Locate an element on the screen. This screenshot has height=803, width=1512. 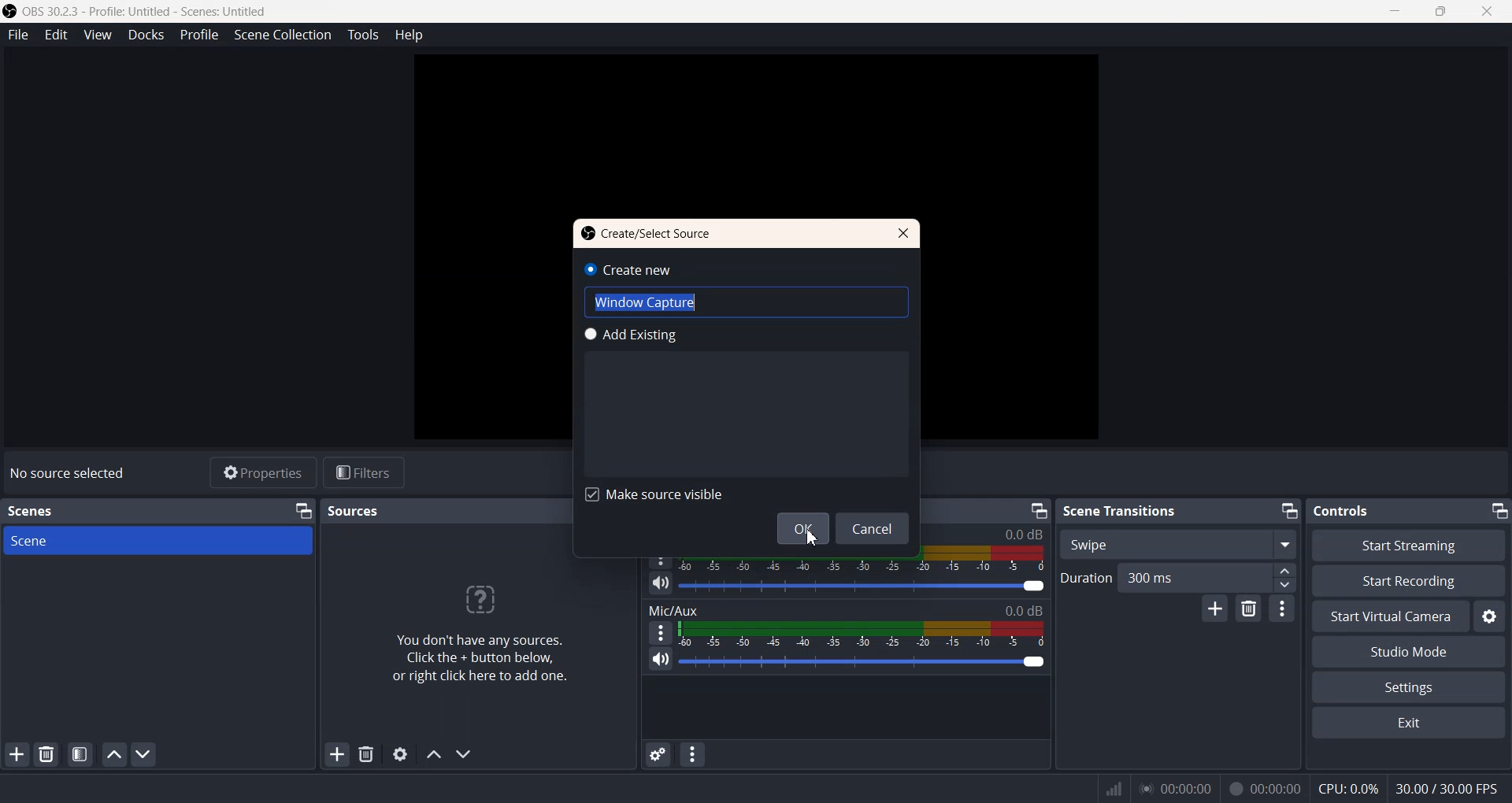
Tools is located at coordinates (364, 35).